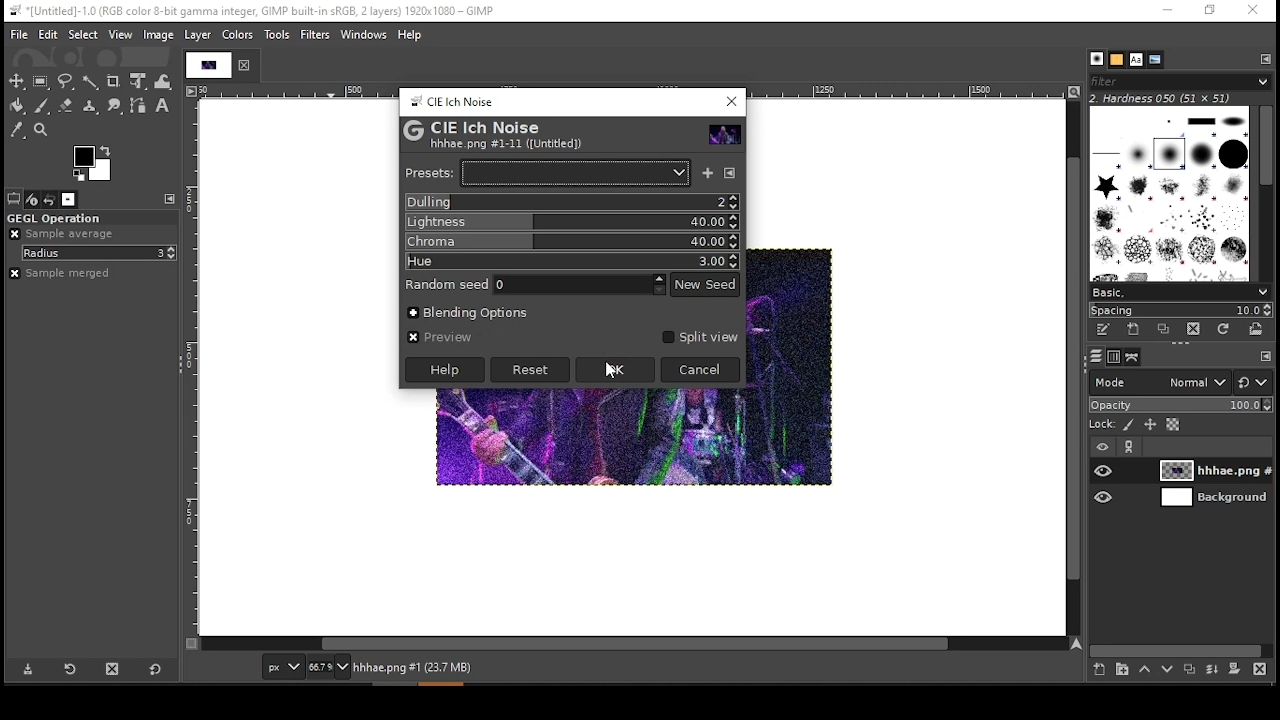  What do you see at coordinates (68, 668) in the screenshot?
I see `restore tool preset` at bounding box center [68, 668].